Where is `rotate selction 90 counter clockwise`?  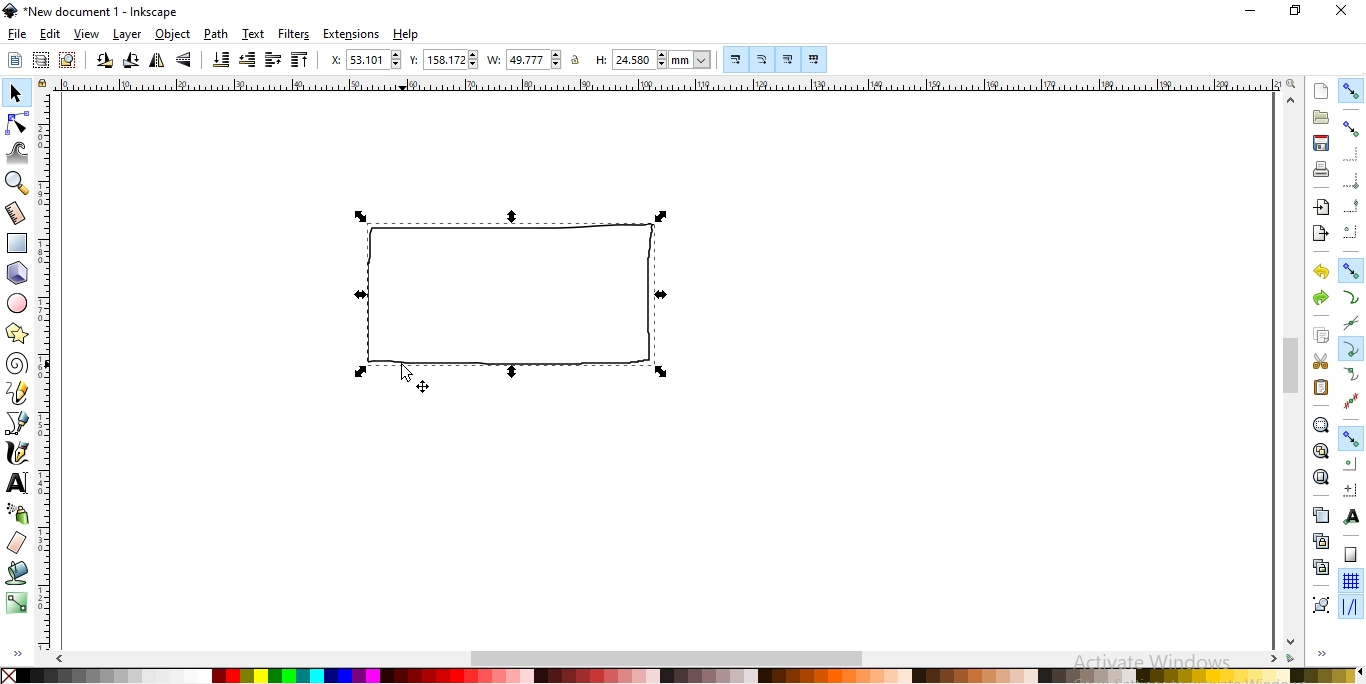
rotate selction 90 counter clockwise is located at coordinates (104, 61).